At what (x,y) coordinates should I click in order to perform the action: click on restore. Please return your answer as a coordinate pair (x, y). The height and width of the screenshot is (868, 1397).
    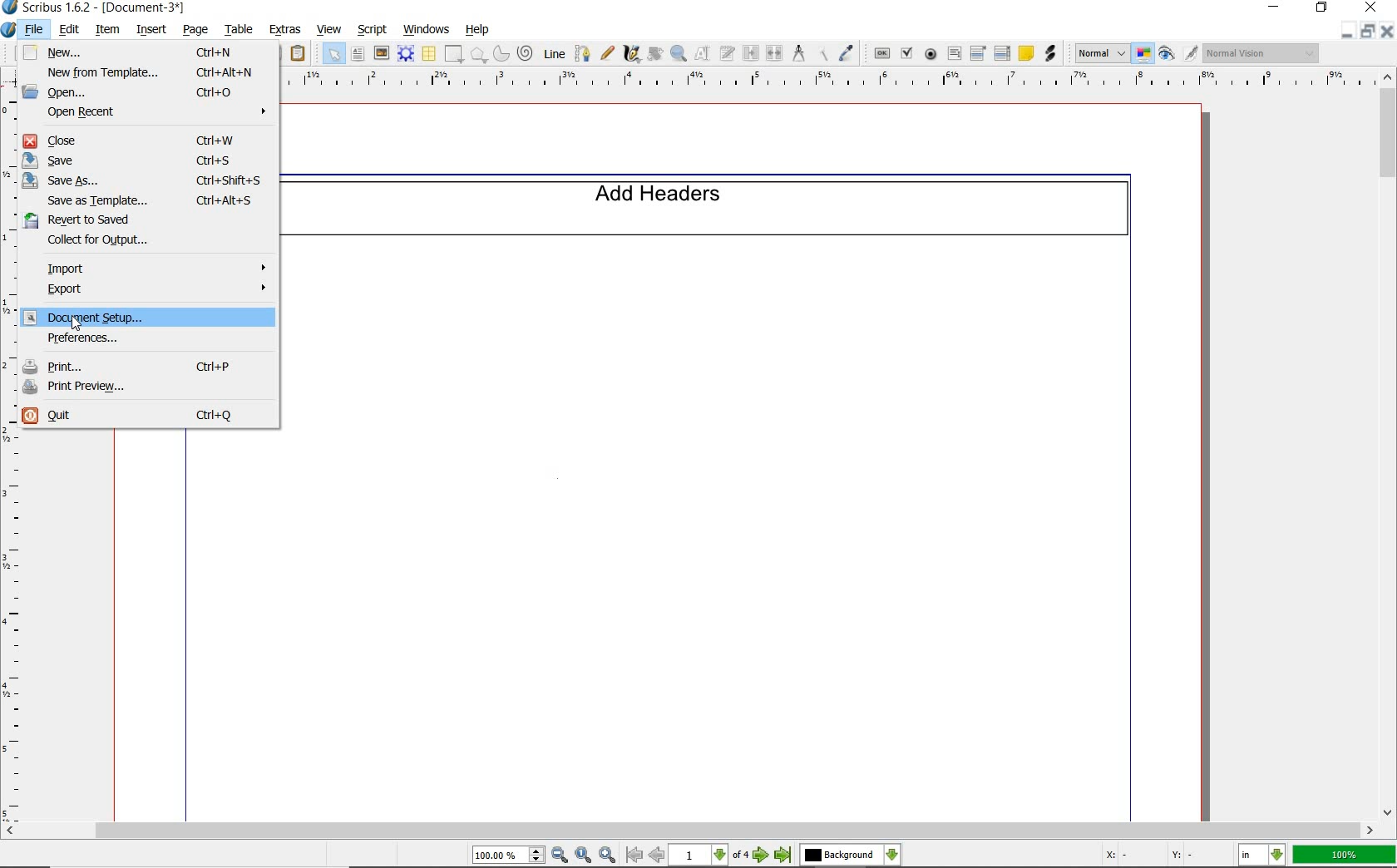
    Looking at the image, I should click on (1370, 32).